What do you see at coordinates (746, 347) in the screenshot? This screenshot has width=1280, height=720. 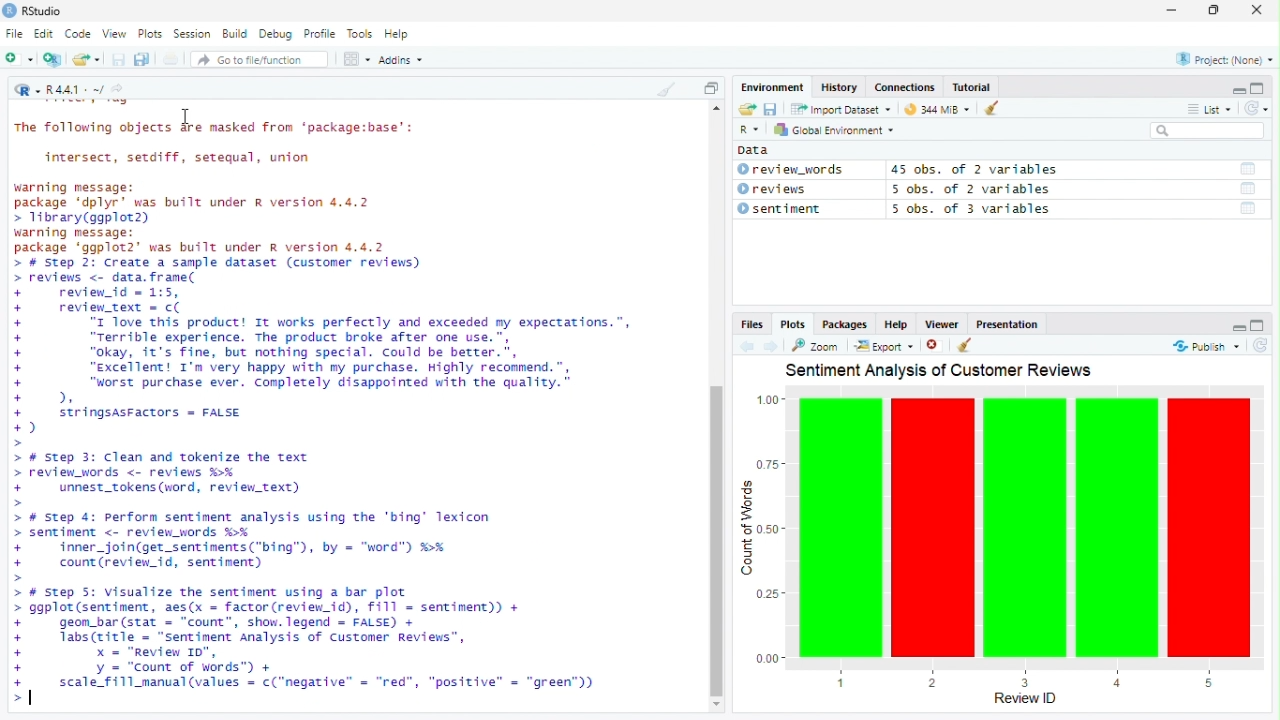 I see `Previous` at bounding box center [746, 347].